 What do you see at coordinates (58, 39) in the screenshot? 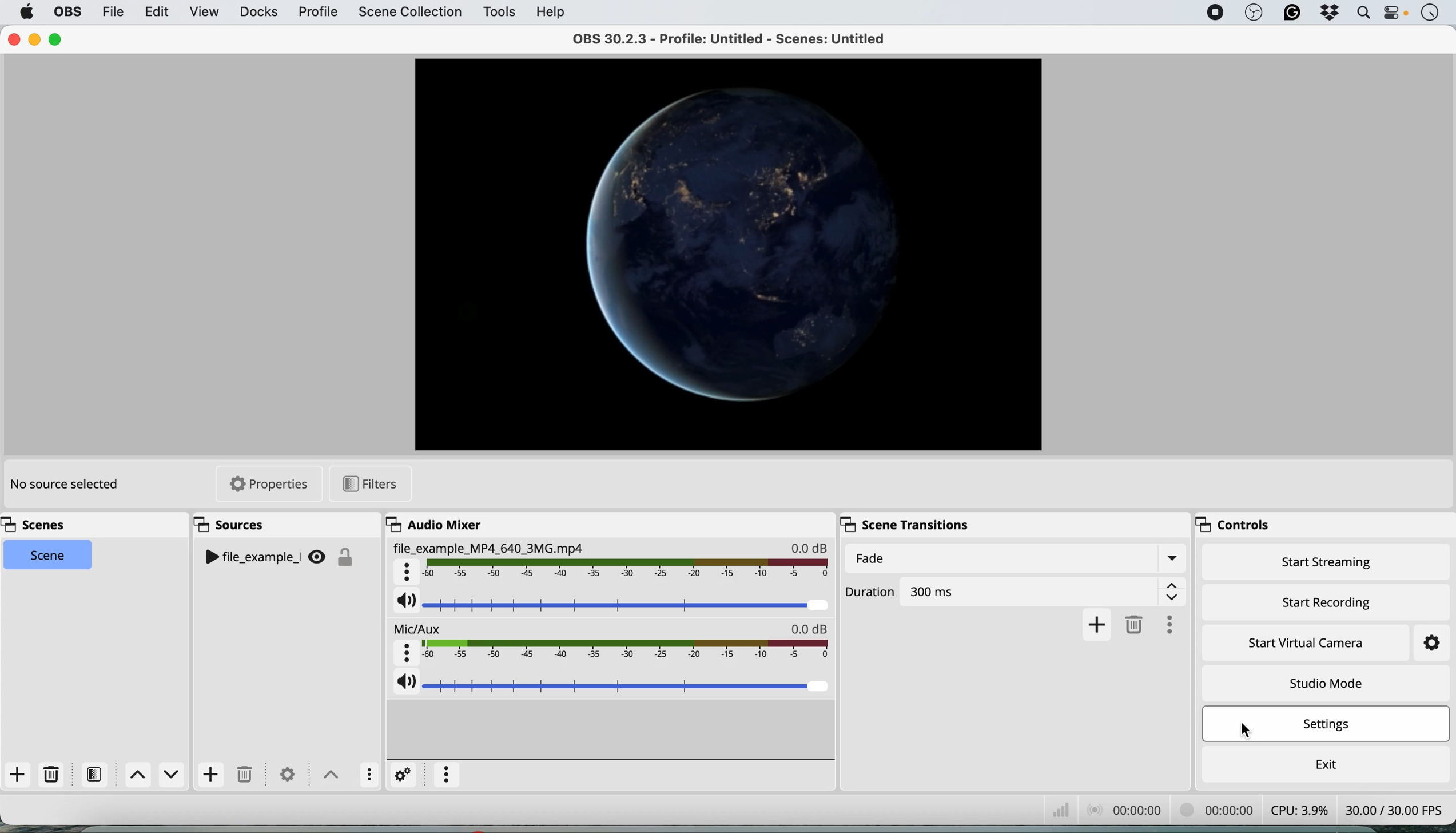
I see `maximise` at bounding box center [58, 39].